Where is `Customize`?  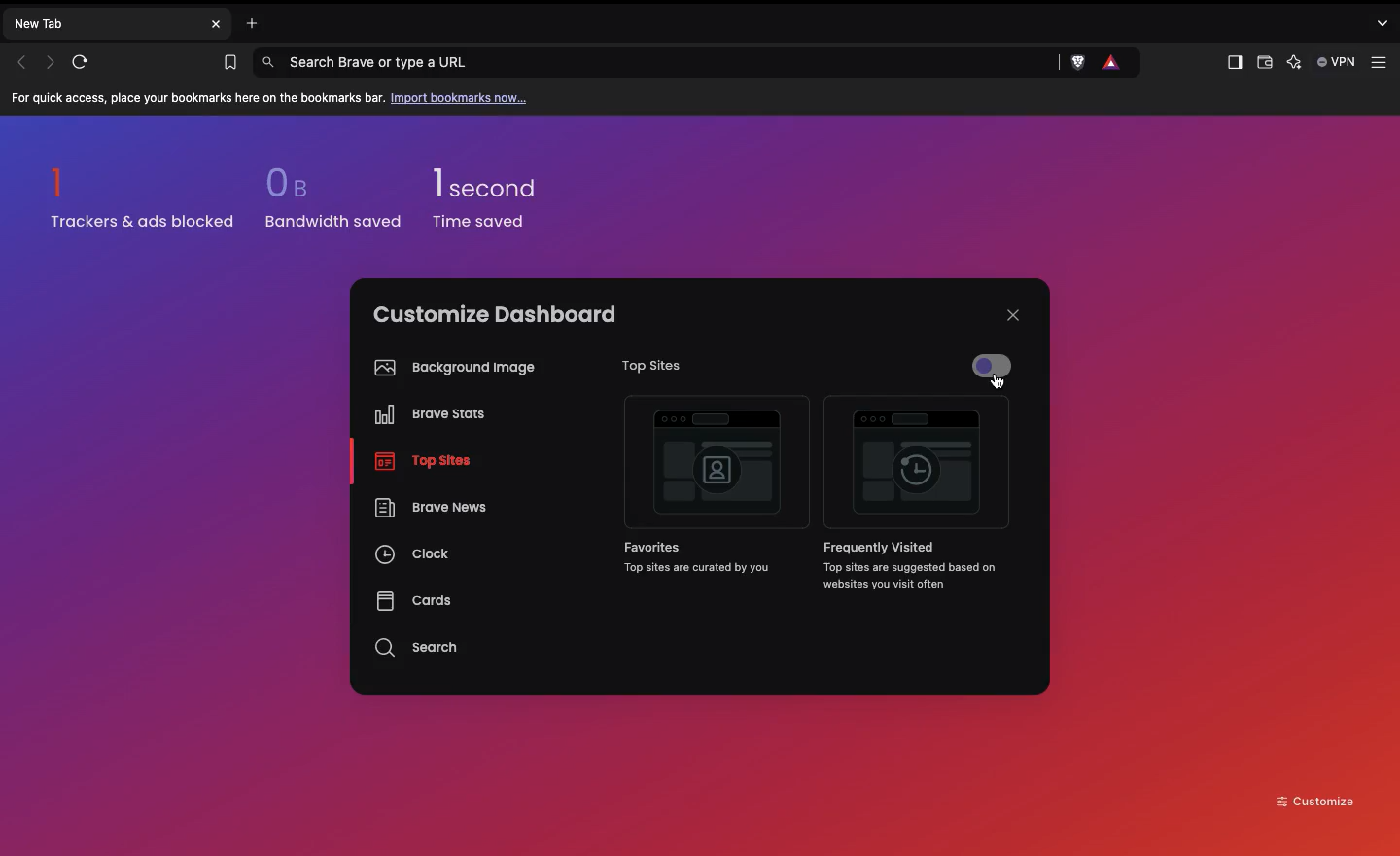 Customize is located at coordinates (1316, 800).